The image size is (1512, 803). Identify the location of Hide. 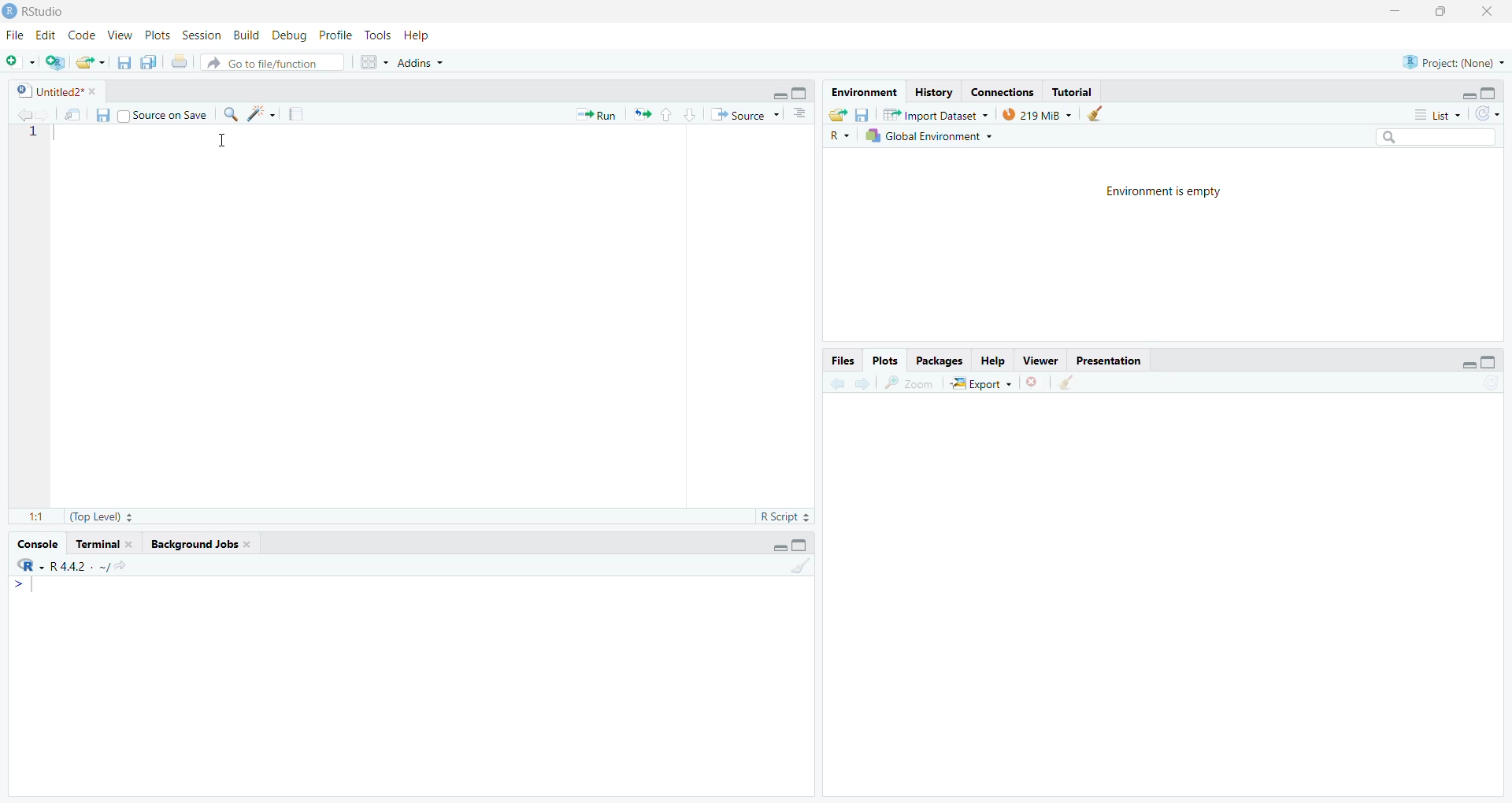
(1468, 94).